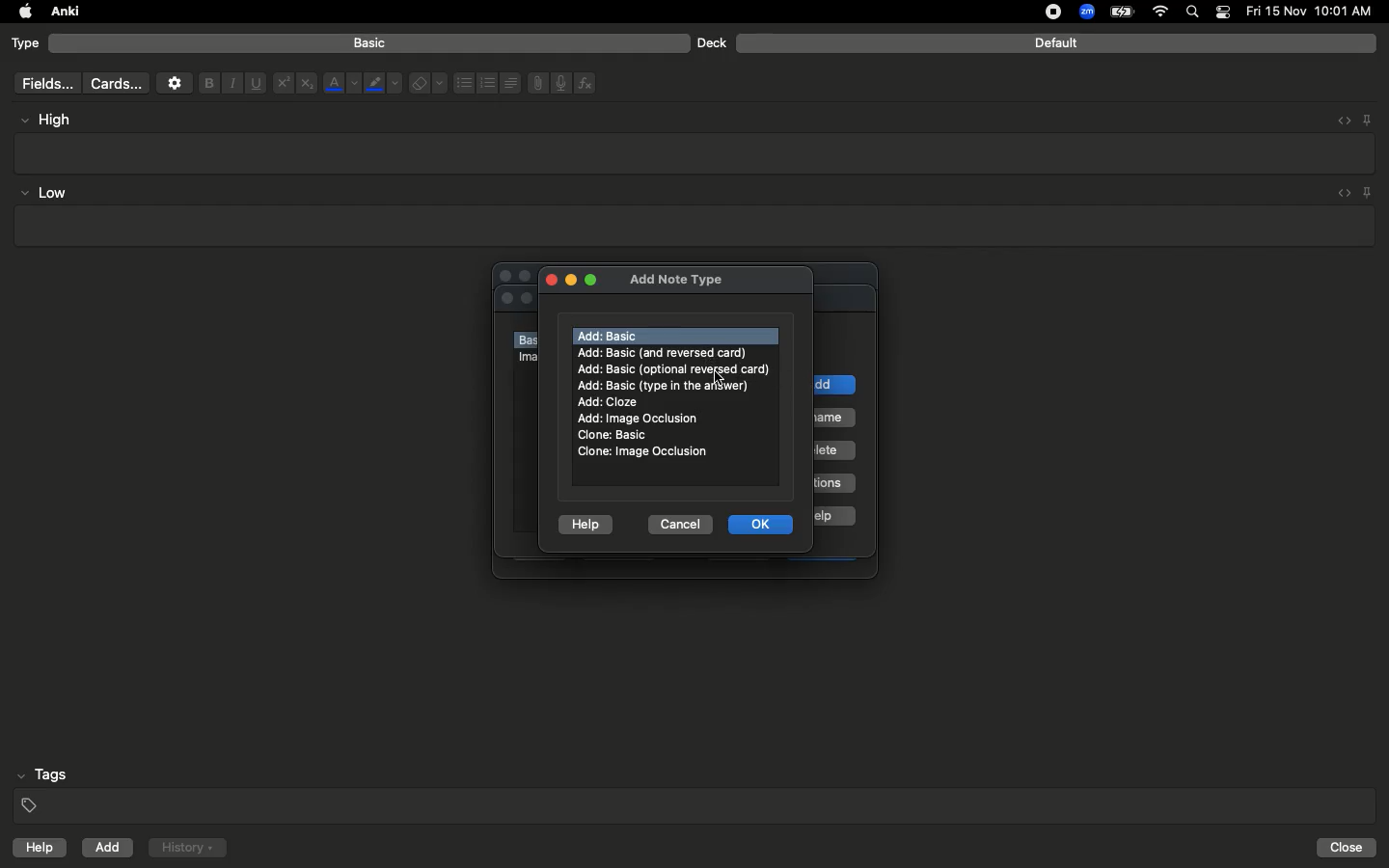 The image size is (1389, 868). What do you see at coordinates (282, 84) in the screenshot?
I see `Superscript` at bounding box center [282, 84].